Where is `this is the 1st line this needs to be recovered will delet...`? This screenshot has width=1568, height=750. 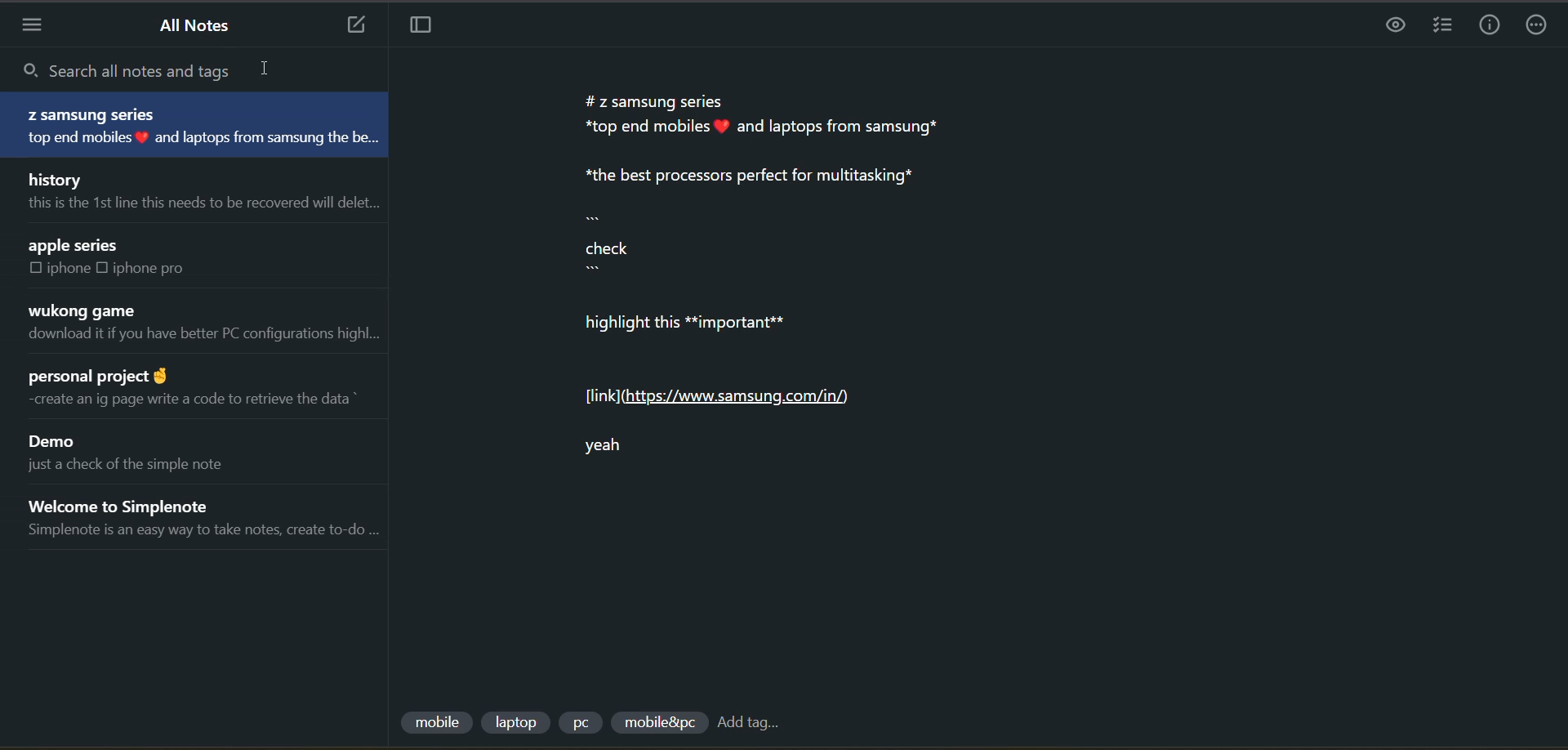 this is the 1st line this needs to be recovered will delet... is located at coordinates (204, 207).